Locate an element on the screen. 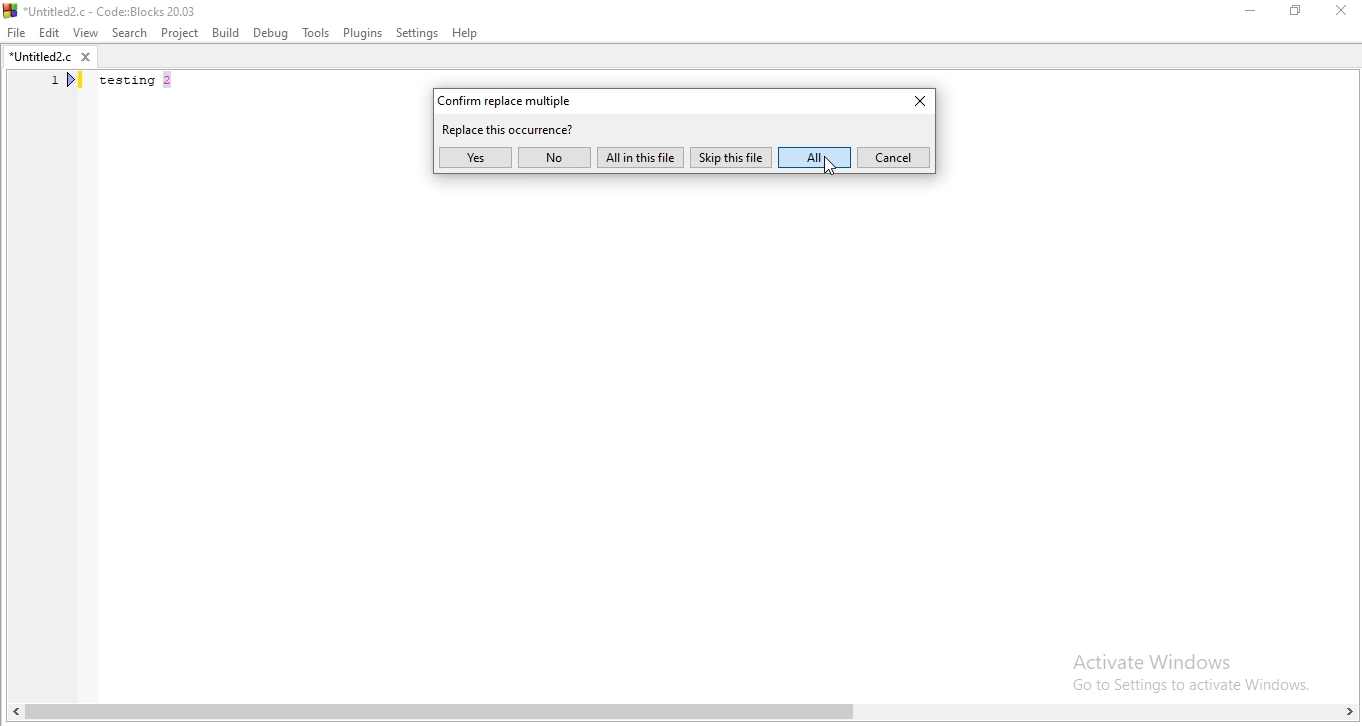 The image size is (1362, 726). *Untitled2.c - Code::Blocks 20.03 is located at coordinates (121, 9).